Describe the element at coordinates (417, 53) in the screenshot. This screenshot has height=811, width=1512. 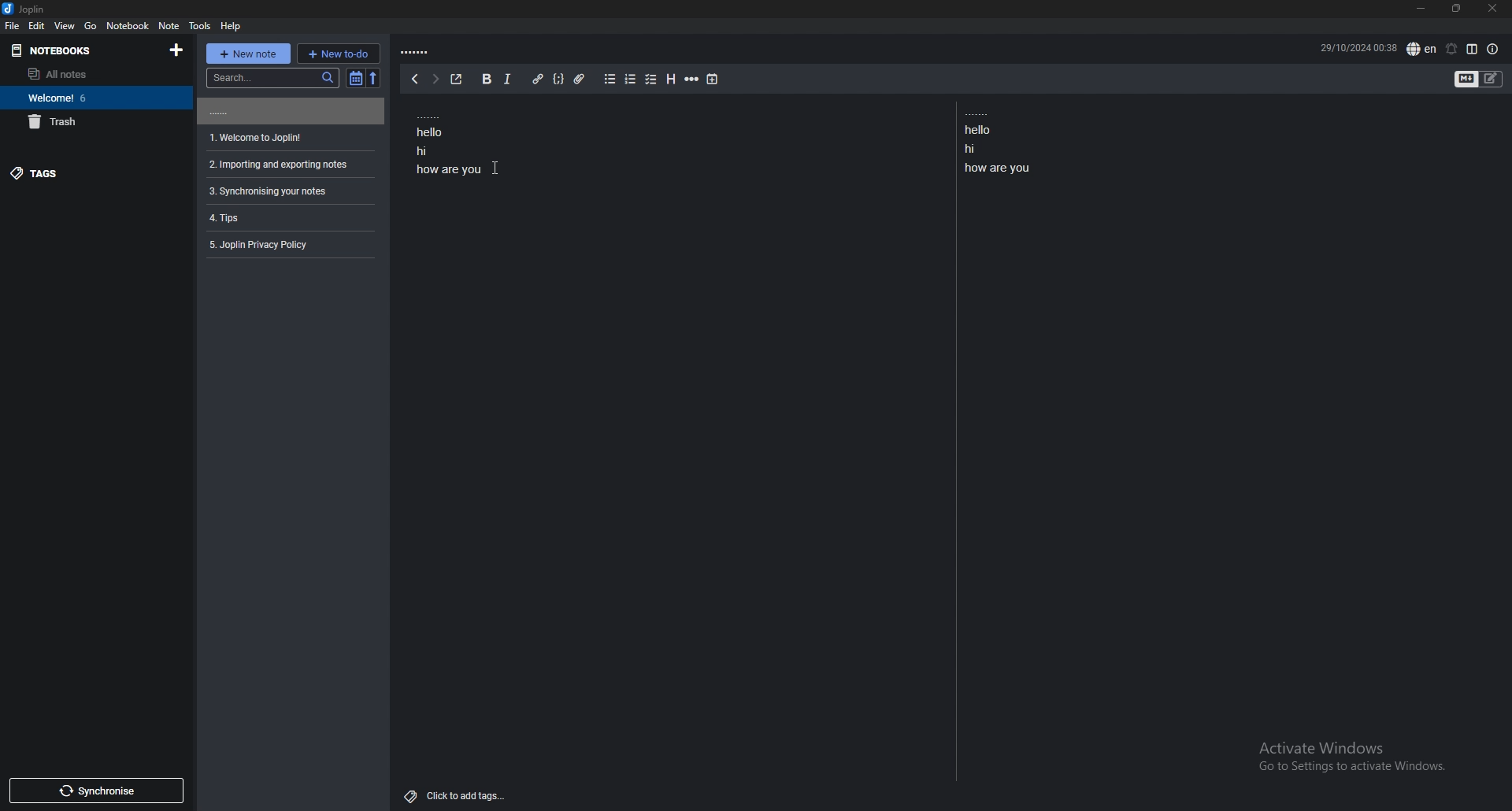
I see `note title` at that location.